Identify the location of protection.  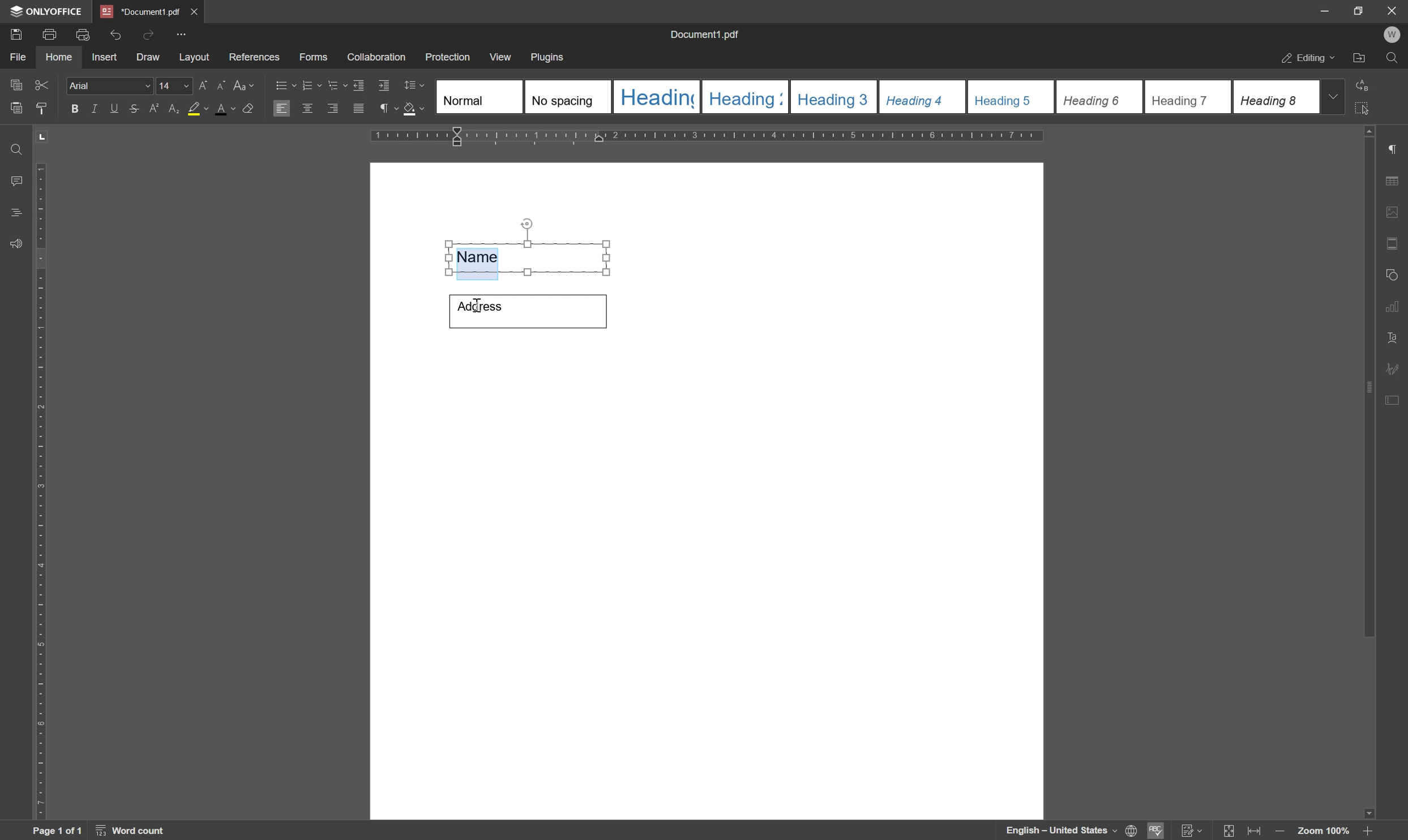
(448, 57).